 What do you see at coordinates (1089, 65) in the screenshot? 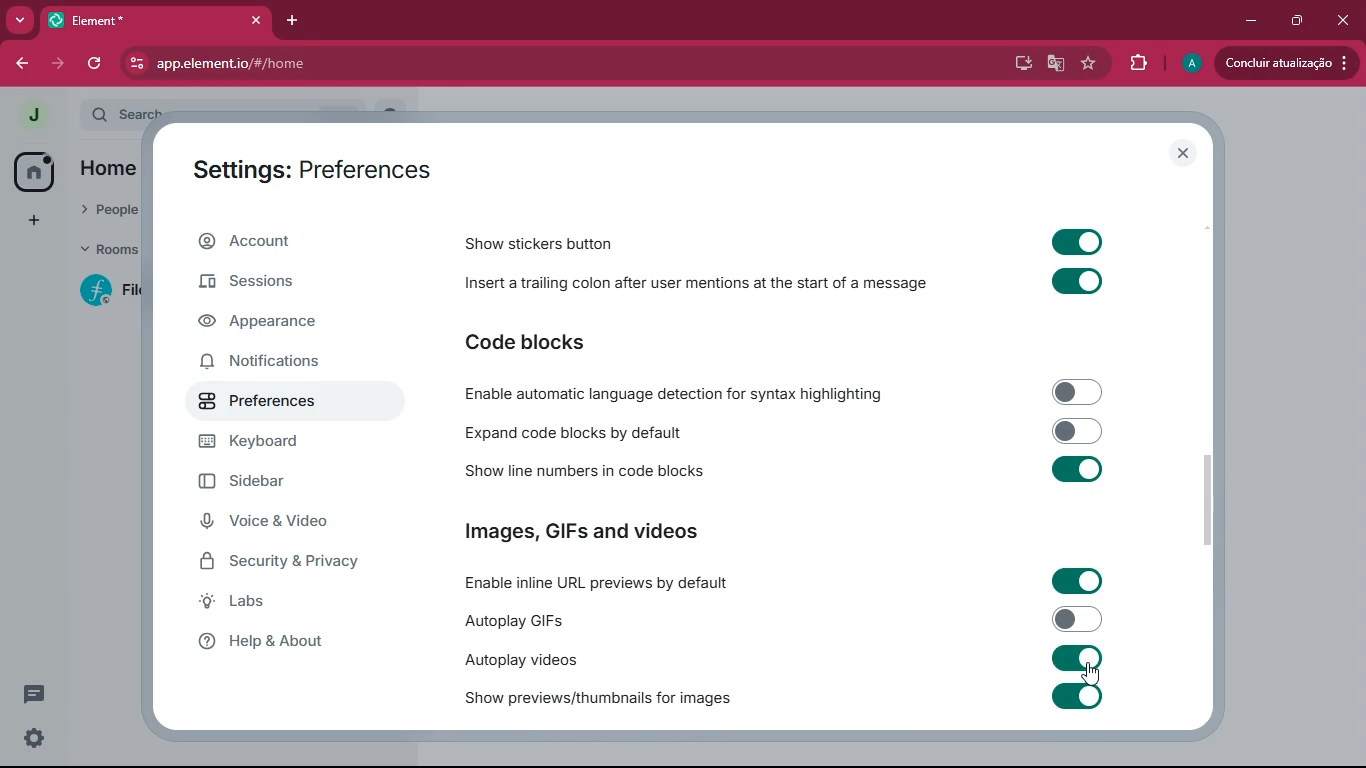
I see `bookmark` at bounding box center [1089, 65].